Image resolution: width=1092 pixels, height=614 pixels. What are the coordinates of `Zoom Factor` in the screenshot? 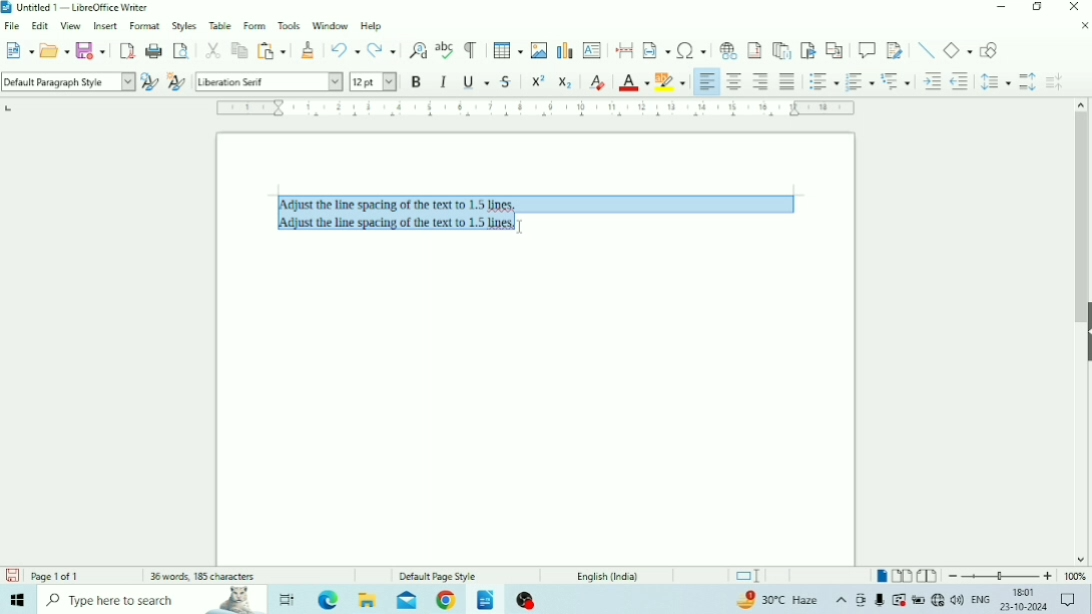 It's located at (1077, 576).